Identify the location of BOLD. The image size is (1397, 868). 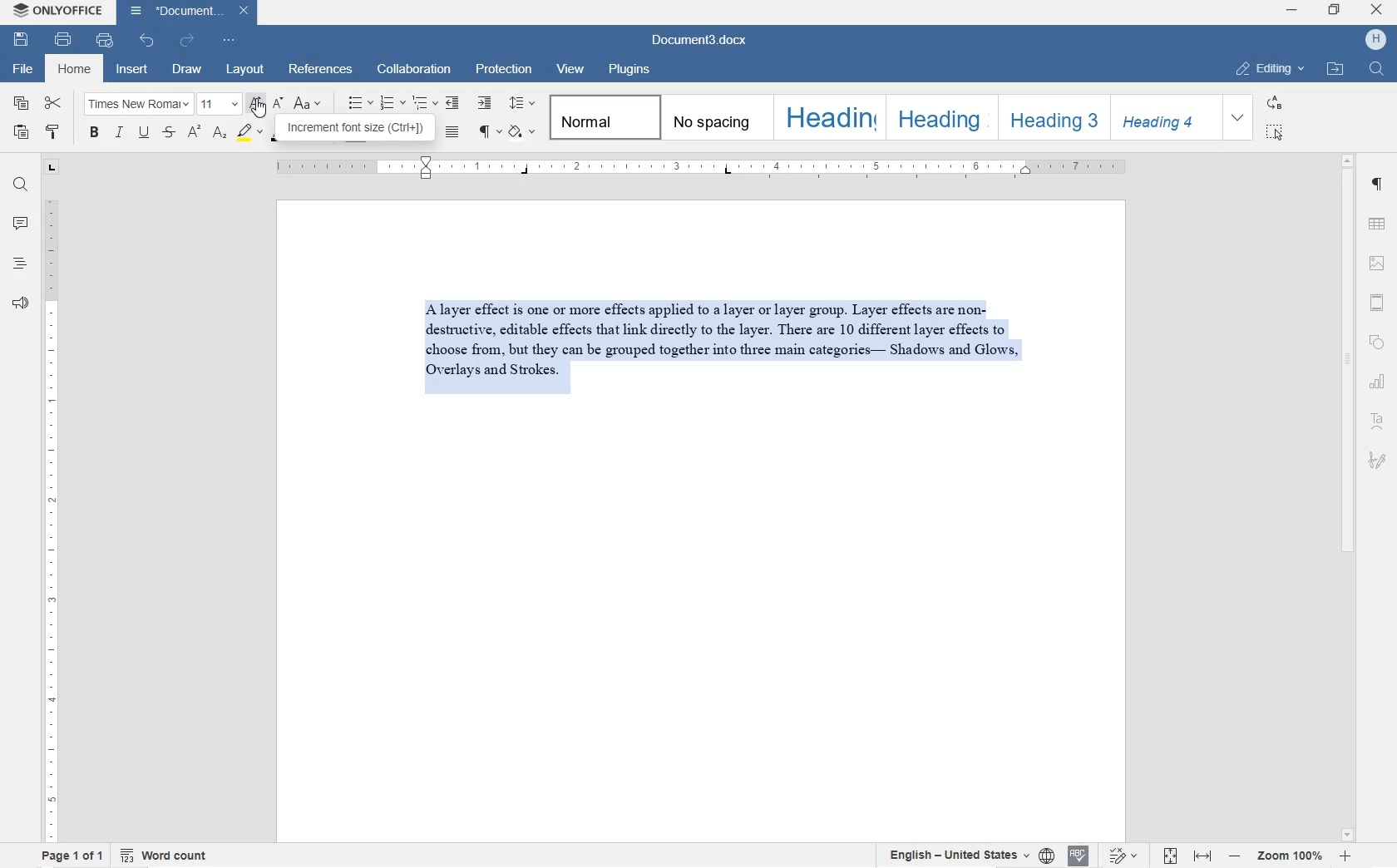
(93, 131).